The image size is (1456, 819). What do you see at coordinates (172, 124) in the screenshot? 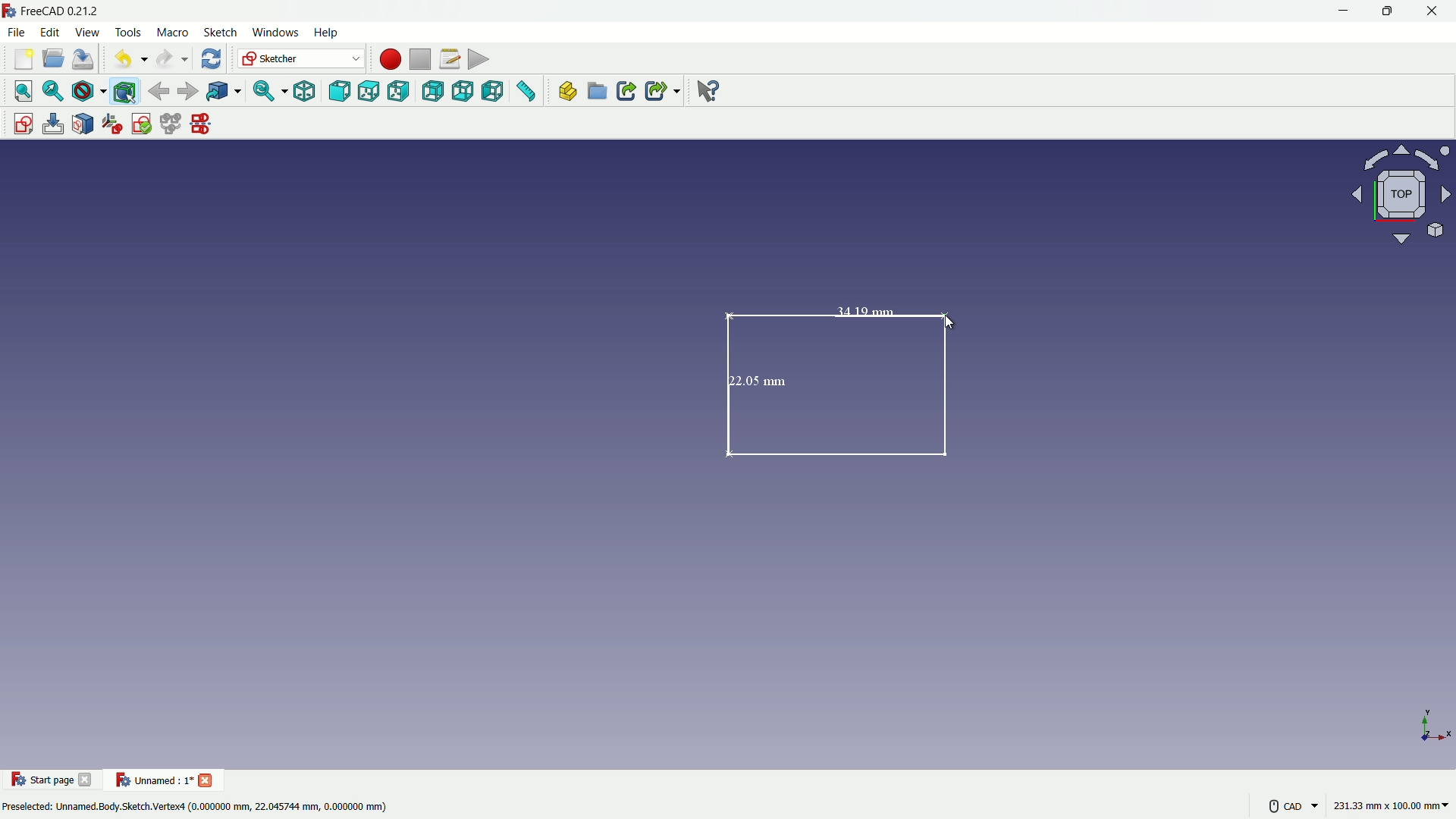
I see `merge sketches` at bounding box center [172, 124].